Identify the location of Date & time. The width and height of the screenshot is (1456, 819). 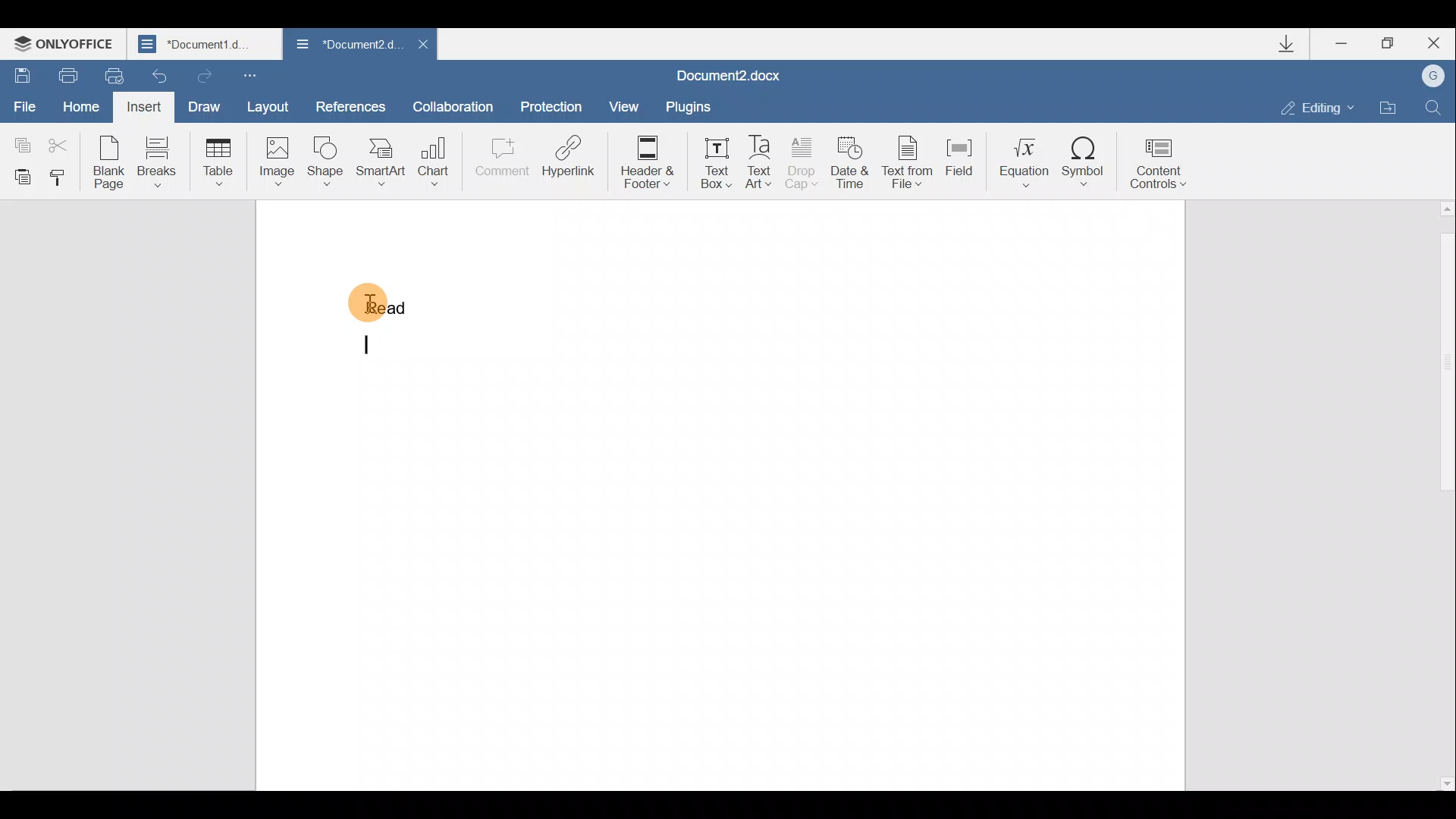
(850, 167).